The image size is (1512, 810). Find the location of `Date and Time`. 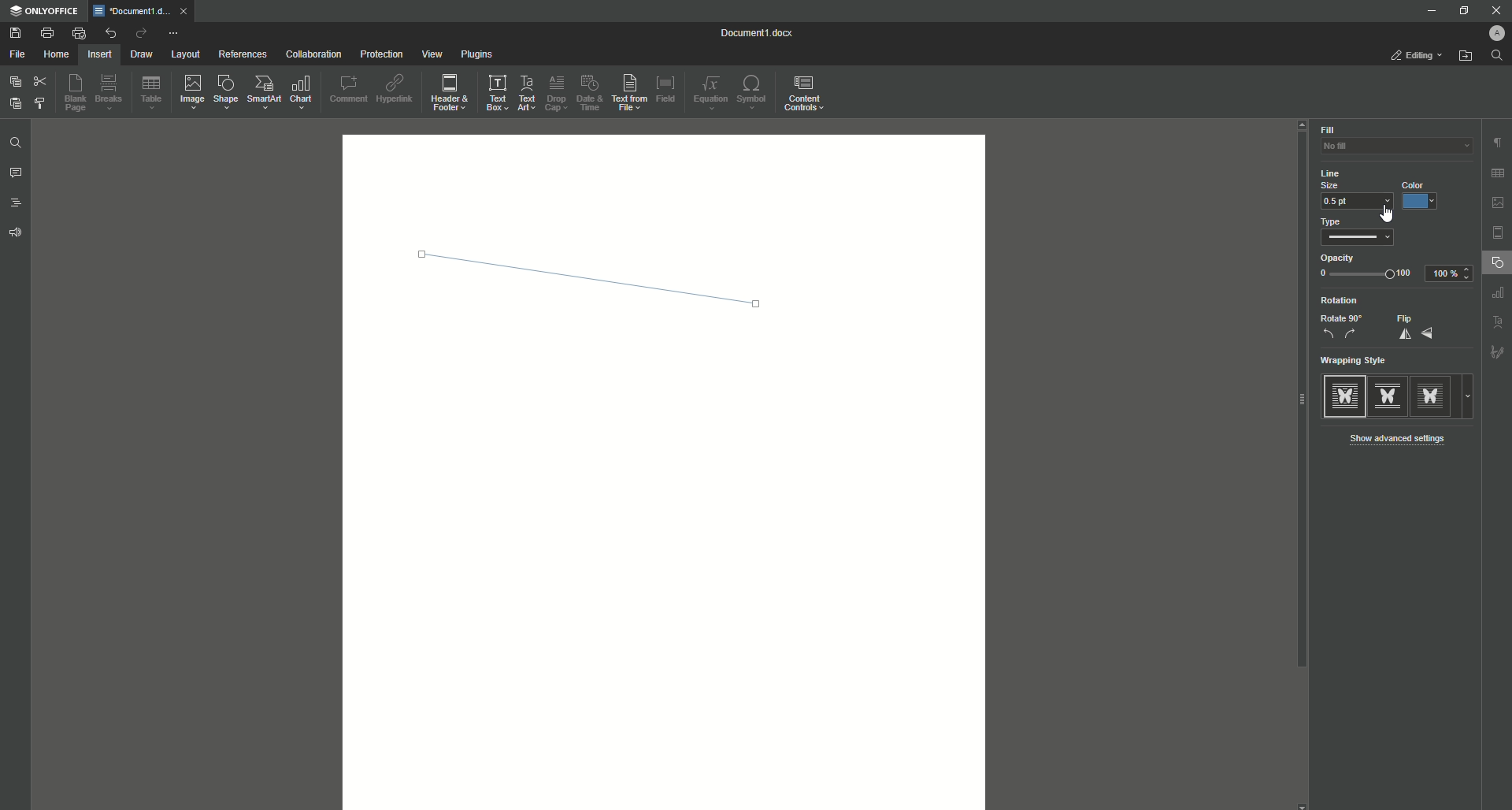

Date and Time is located at coordinates (590, 93).